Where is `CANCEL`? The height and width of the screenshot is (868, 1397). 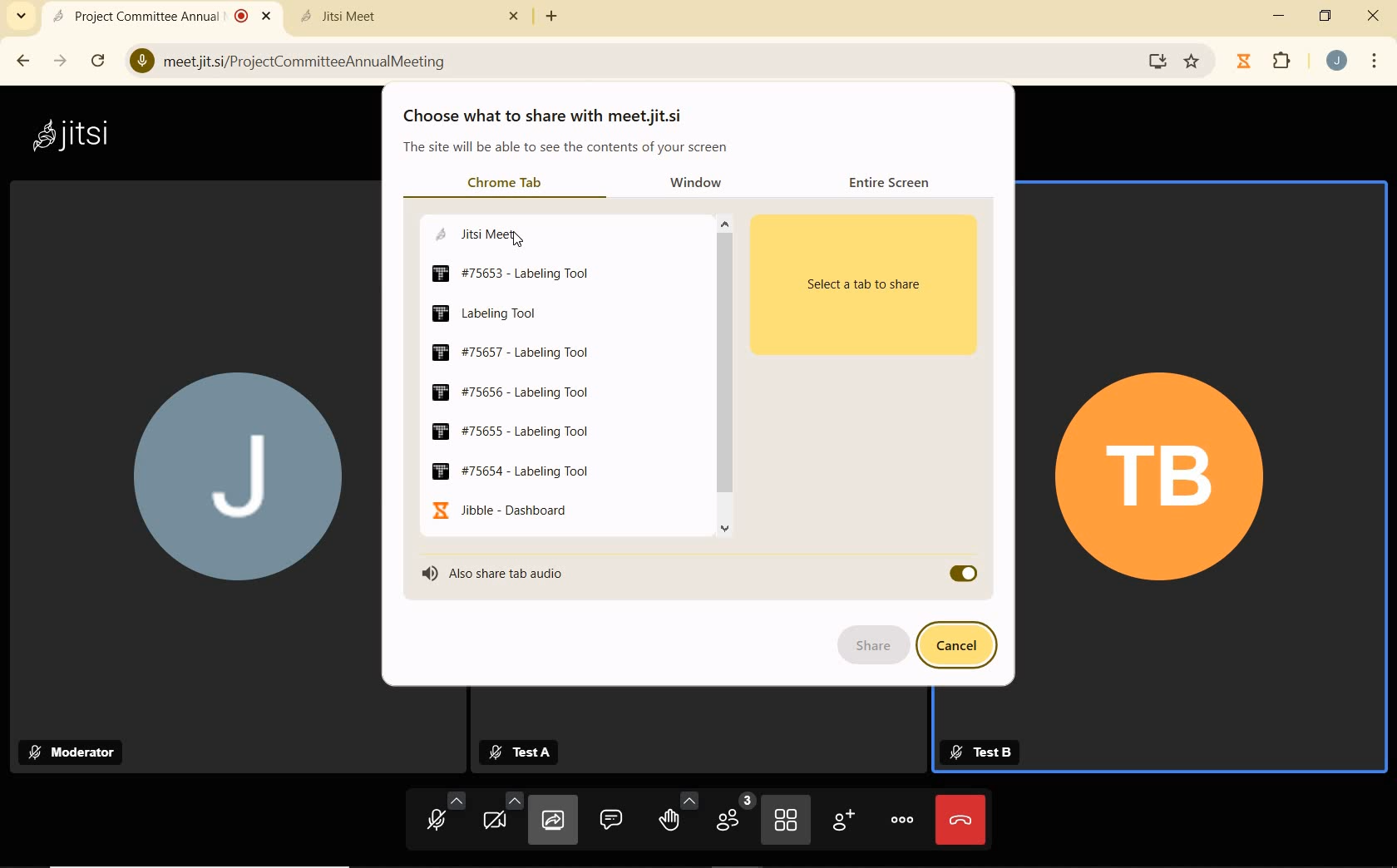
CANCEL is located at coordinates (962, 646).